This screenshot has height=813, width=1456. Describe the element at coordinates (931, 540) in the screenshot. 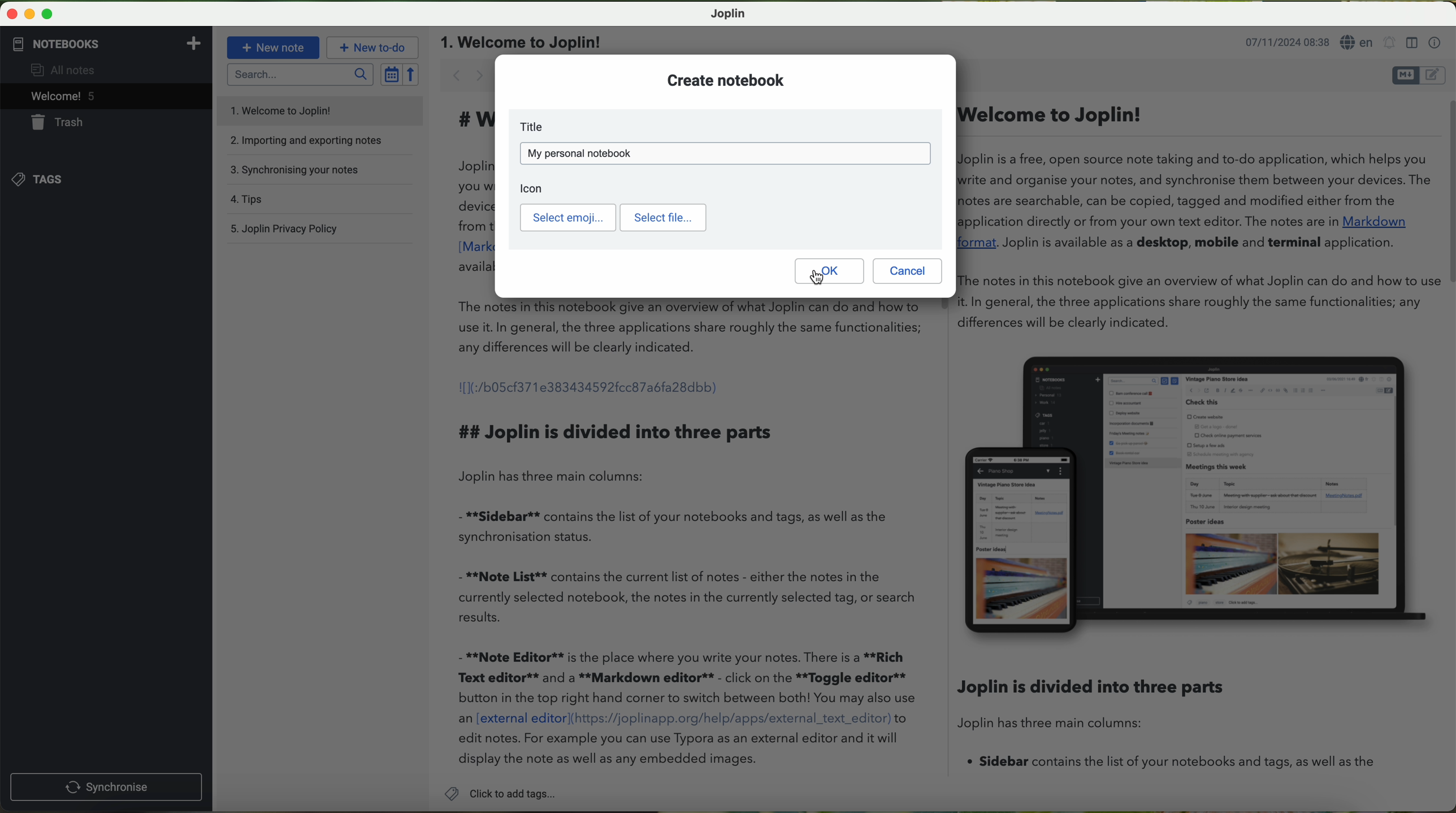

I see `workspace` at that location.